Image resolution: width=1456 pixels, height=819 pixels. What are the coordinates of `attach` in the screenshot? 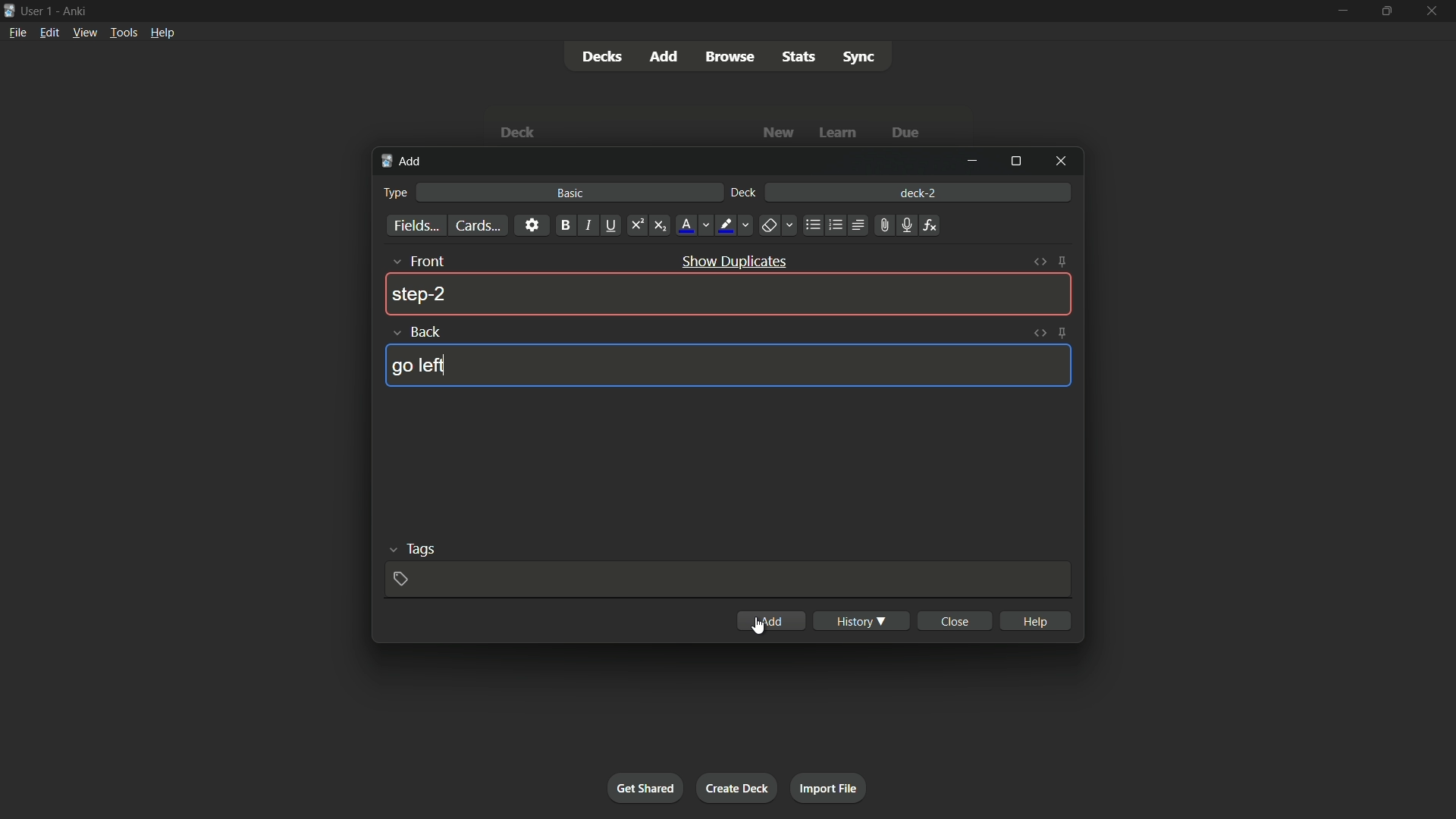 It's located at (885, 224).